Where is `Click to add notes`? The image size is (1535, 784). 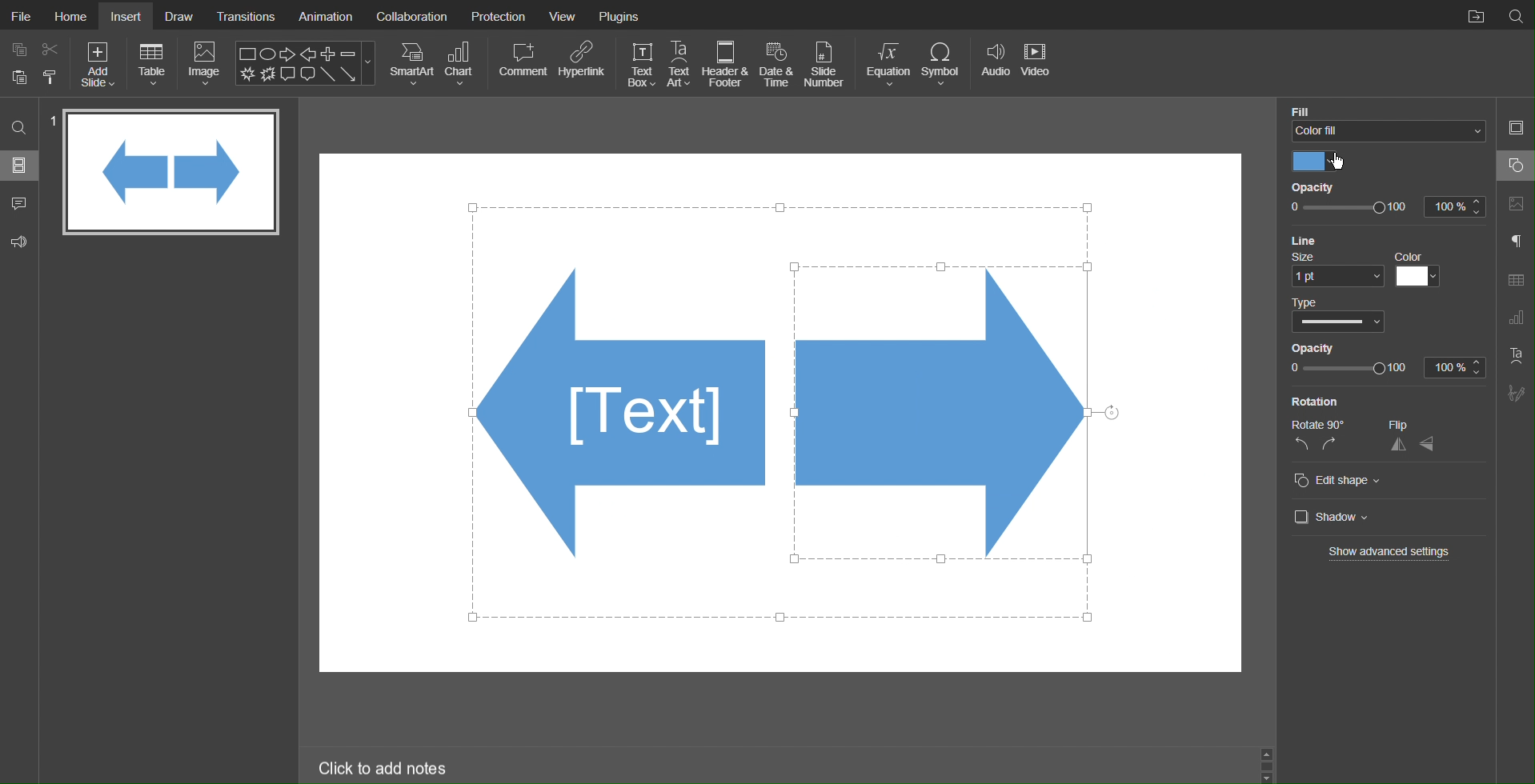
Click to add notes is located at coordinates (384, 766).